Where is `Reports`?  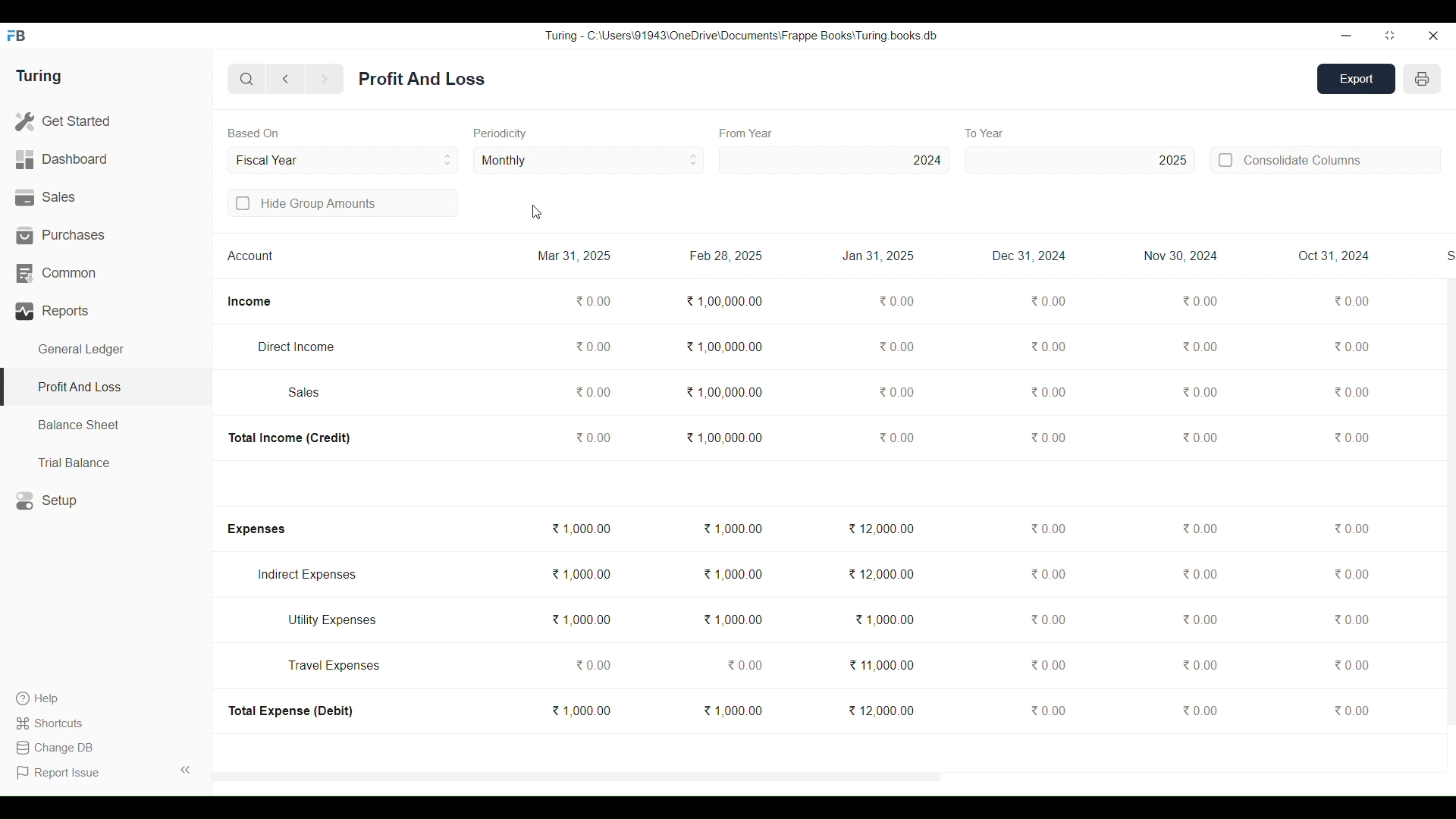
Reports is located at coordinates (106, 311).